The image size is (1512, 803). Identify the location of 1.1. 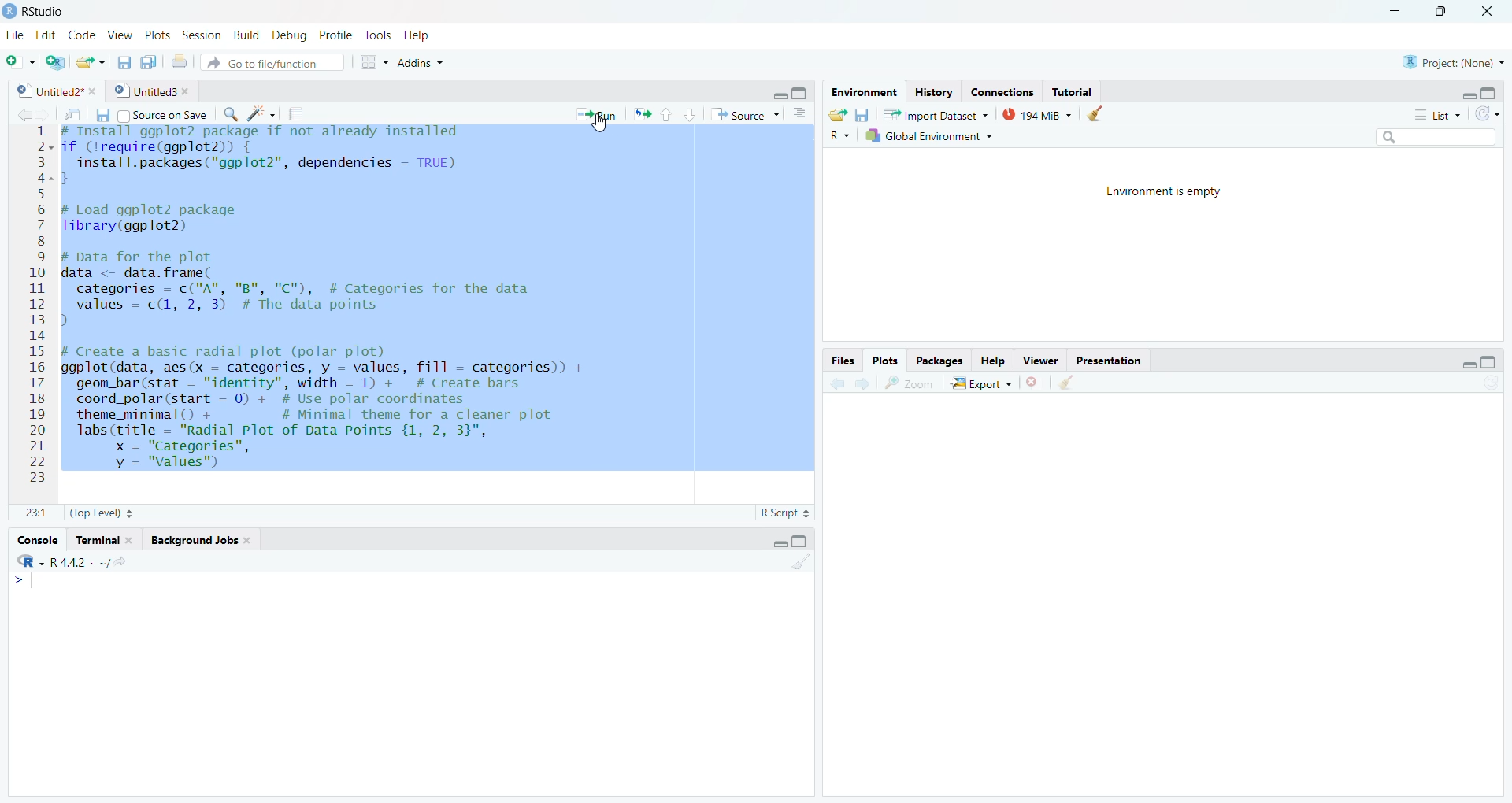
(33, 513).